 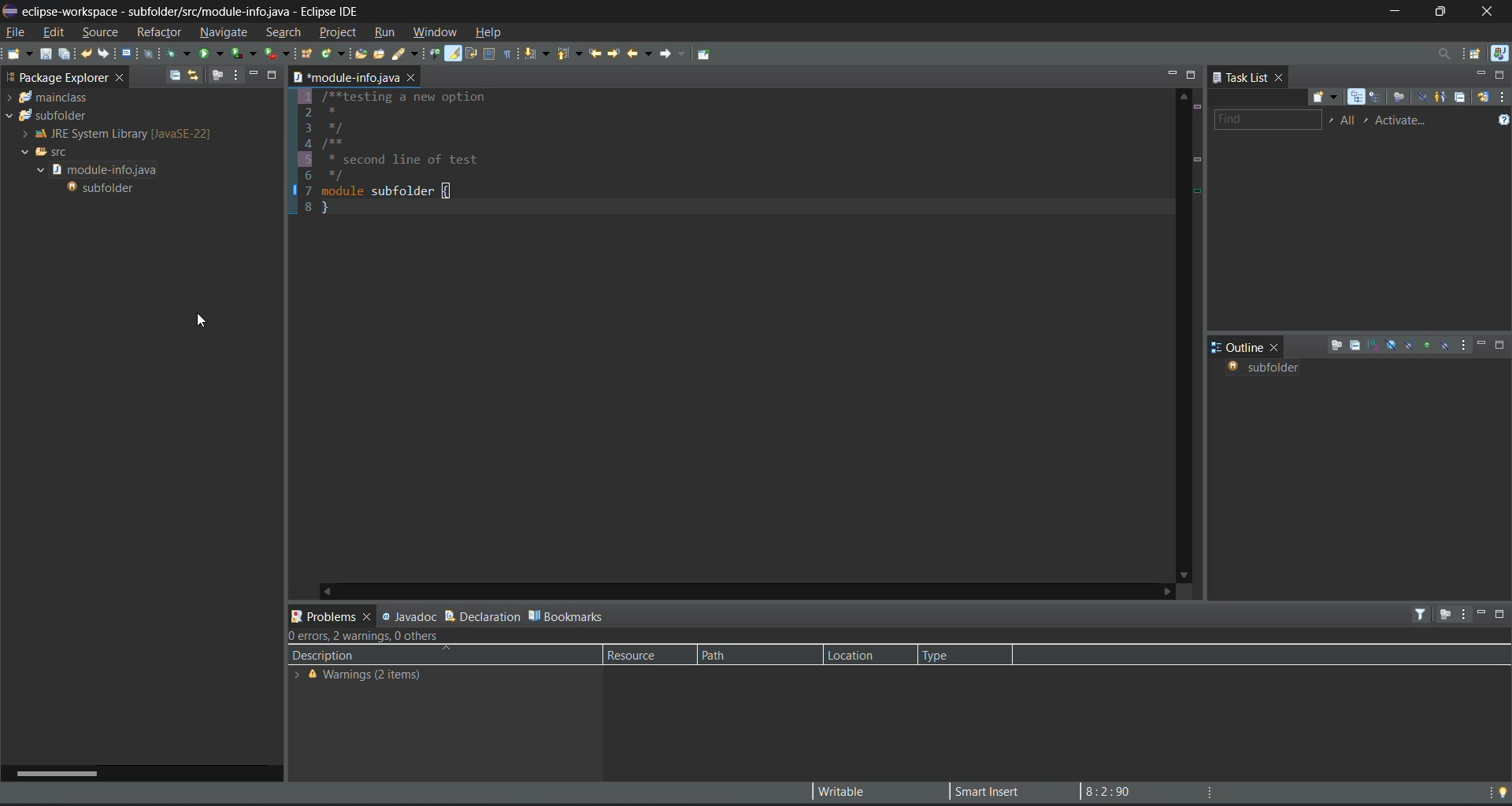 What do you see at coordinates (472, 53) in the screenshot?
I see `toggle word wrap` at bounding box center [472, 53].